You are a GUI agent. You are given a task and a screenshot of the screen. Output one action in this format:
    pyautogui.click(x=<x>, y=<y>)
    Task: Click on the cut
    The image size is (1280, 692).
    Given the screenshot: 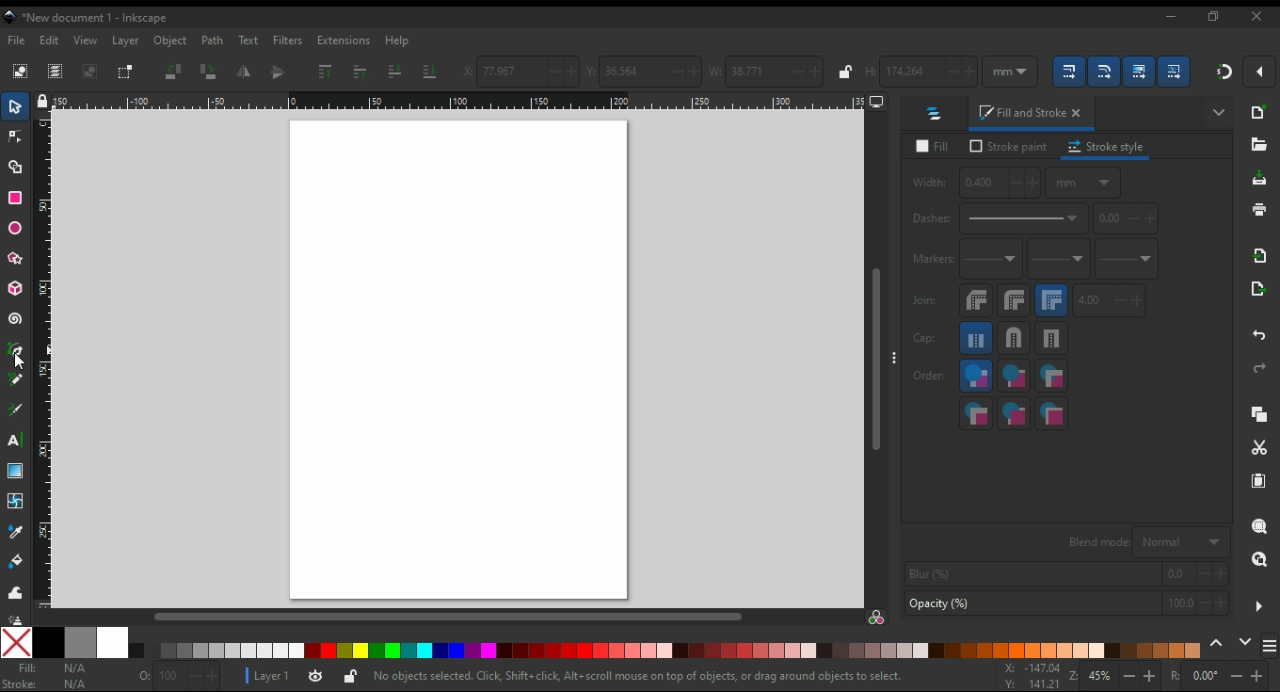 What is the action you would take?
    pyautogui.click(x=1260, y=448)
    